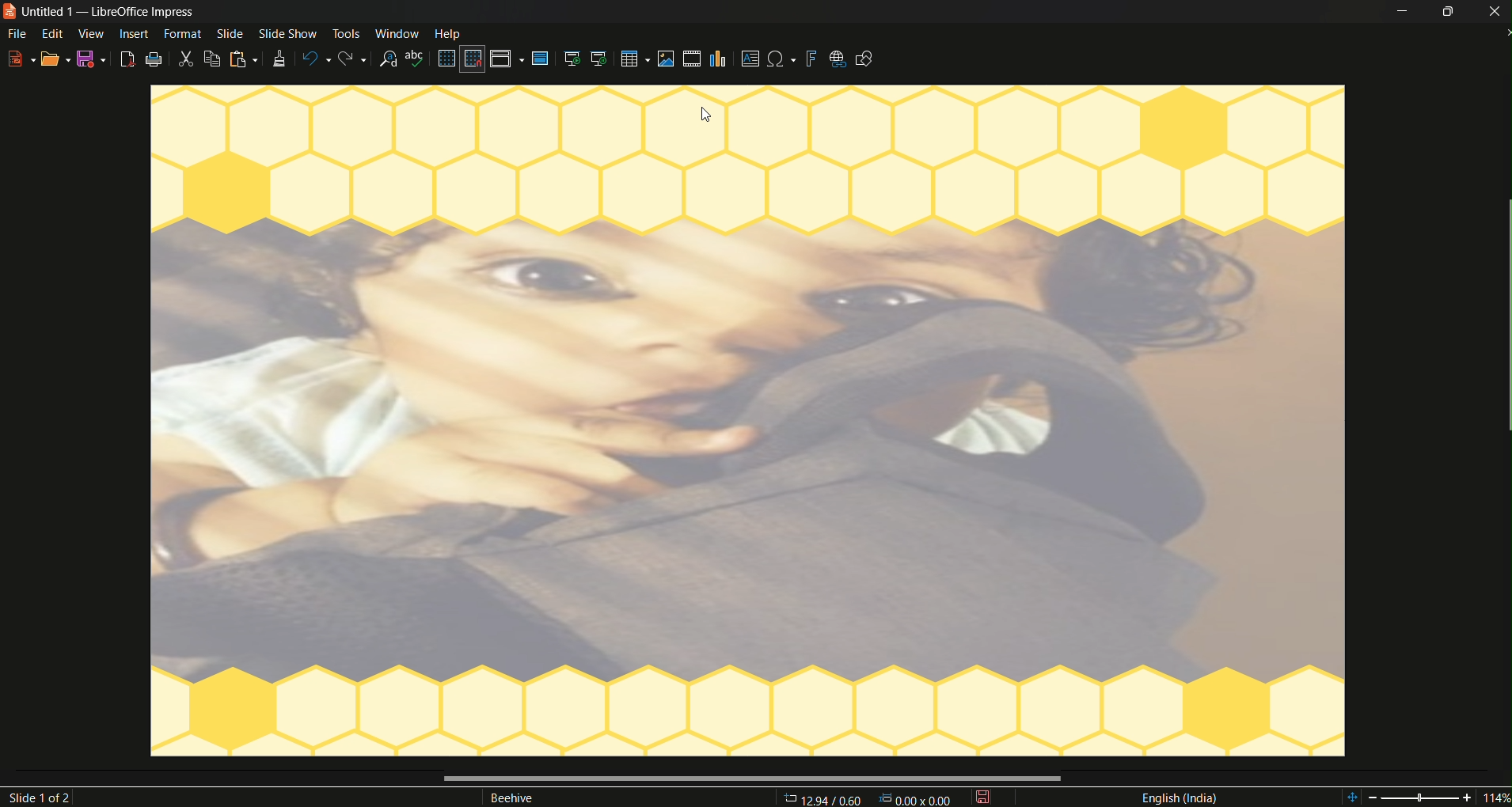 The image size is (1512, 807). What do you see at coordinates (635, 59) in the screenshot?
I see `table` at bounding box center [635, 59].